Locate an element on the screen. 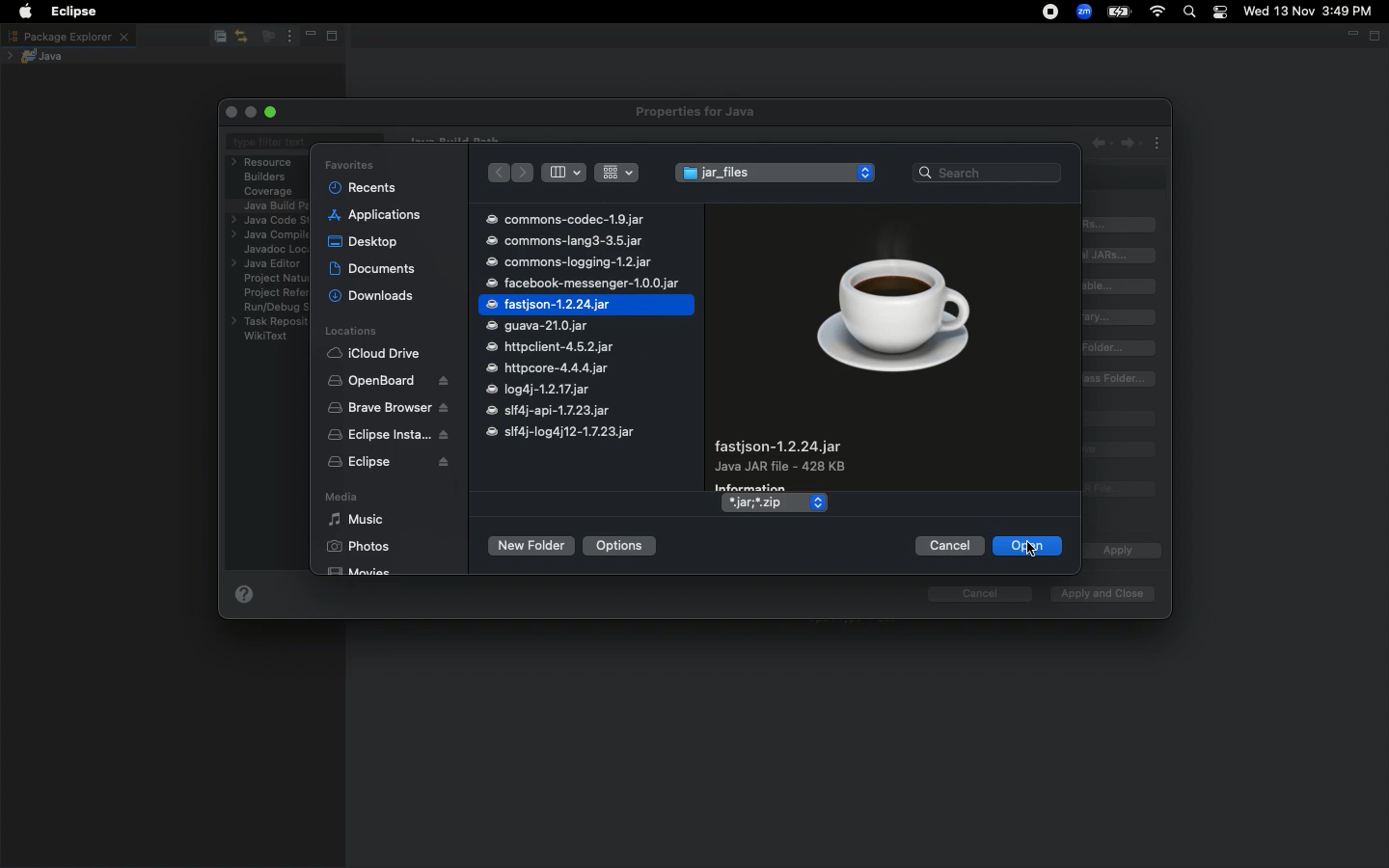 This screenshot has width=1389, height=868. Recents is located at coordinates (364, 187).